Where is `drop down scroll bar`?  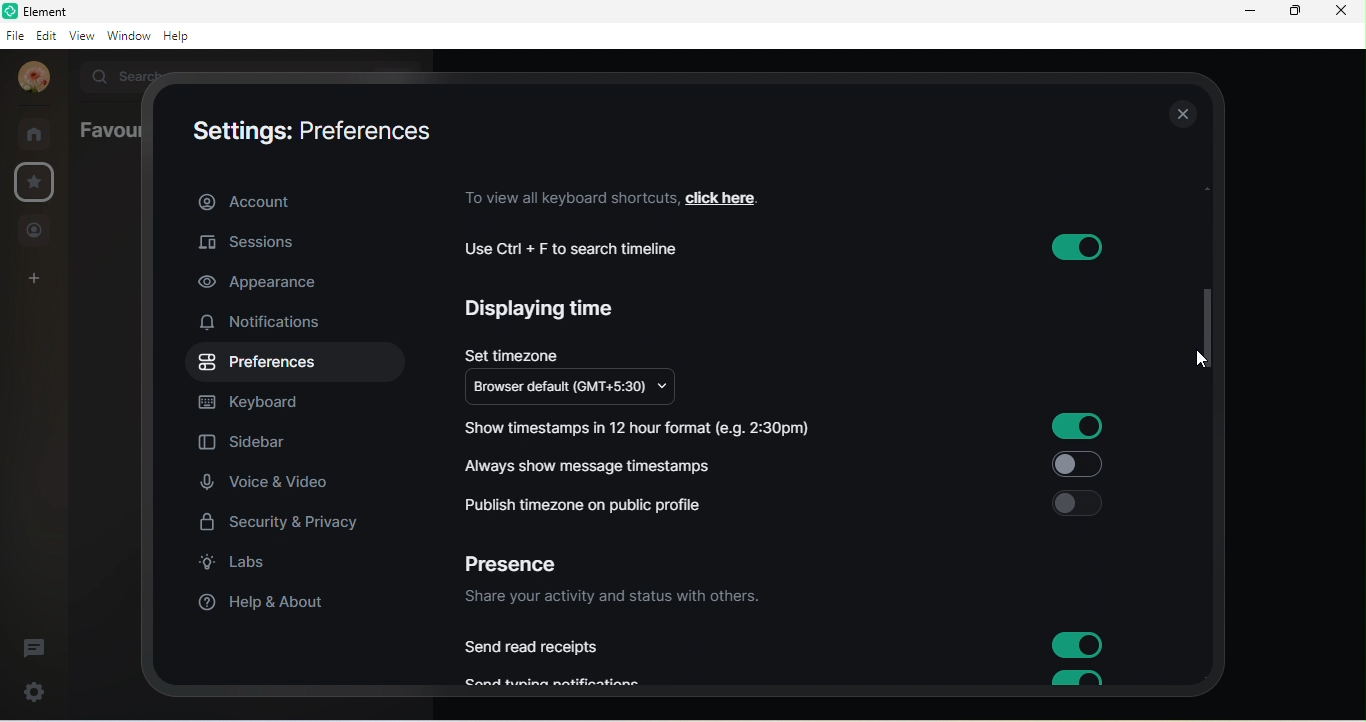 drop down scroll bar is located at coordinates (1203, 325).